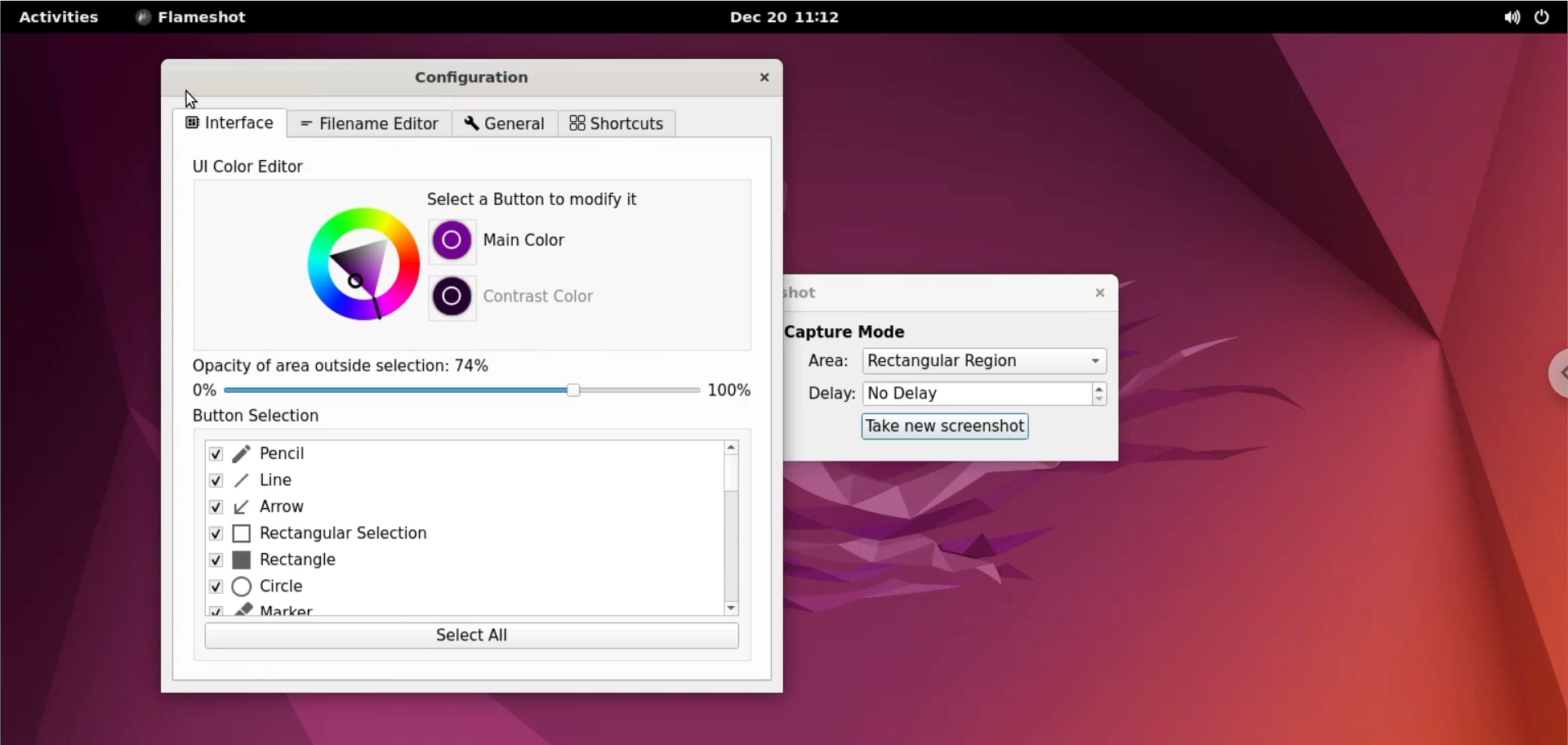 This screenshot has height=745, width=1568. What do you see at coordinates (616, 123) in the screenshot?
I see `shortcuts` at bounding box center [616, 123].